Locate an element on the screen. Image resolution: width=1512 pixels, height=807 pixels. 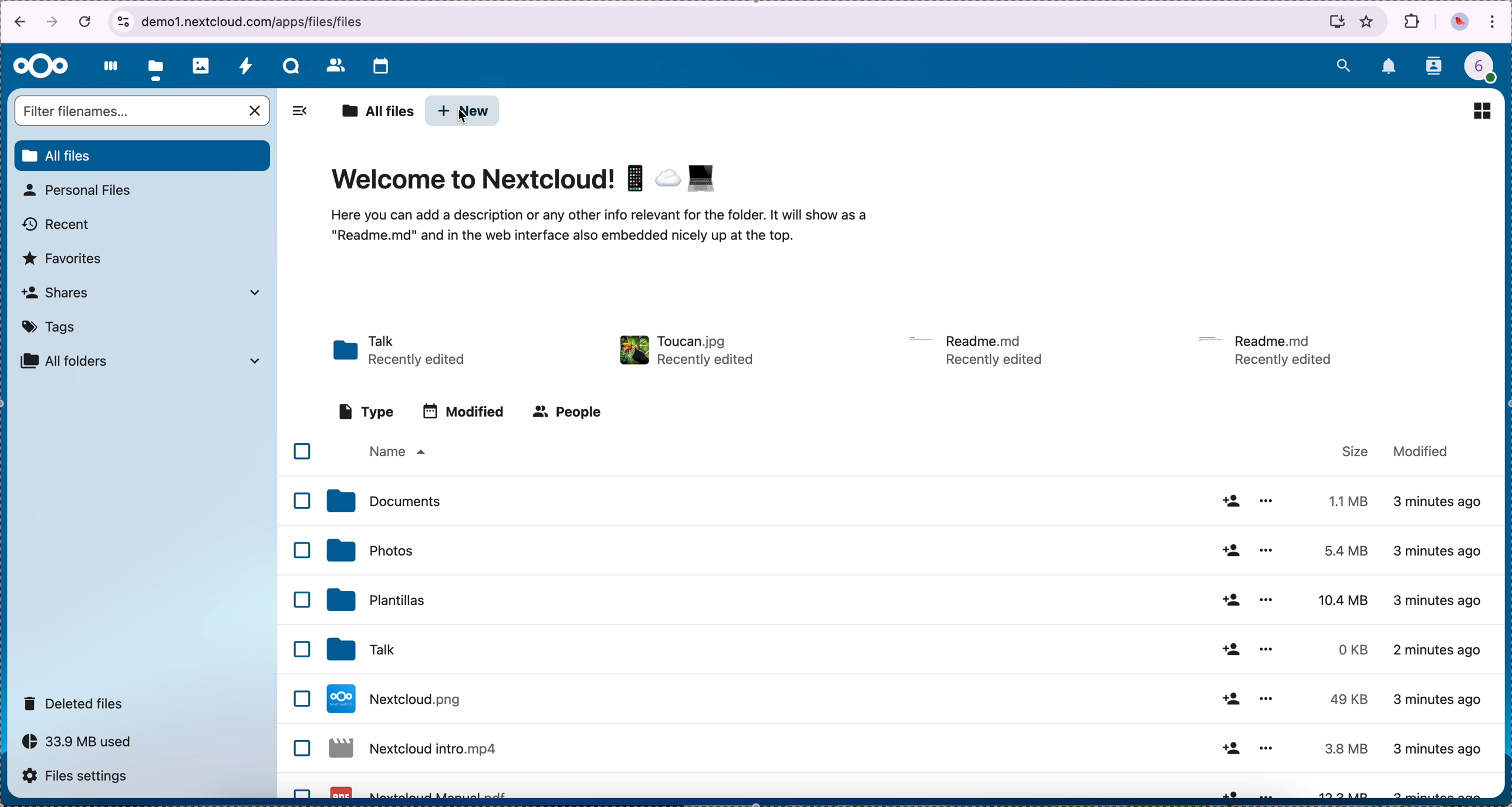
toucan file is located at coordinates (683, 350).